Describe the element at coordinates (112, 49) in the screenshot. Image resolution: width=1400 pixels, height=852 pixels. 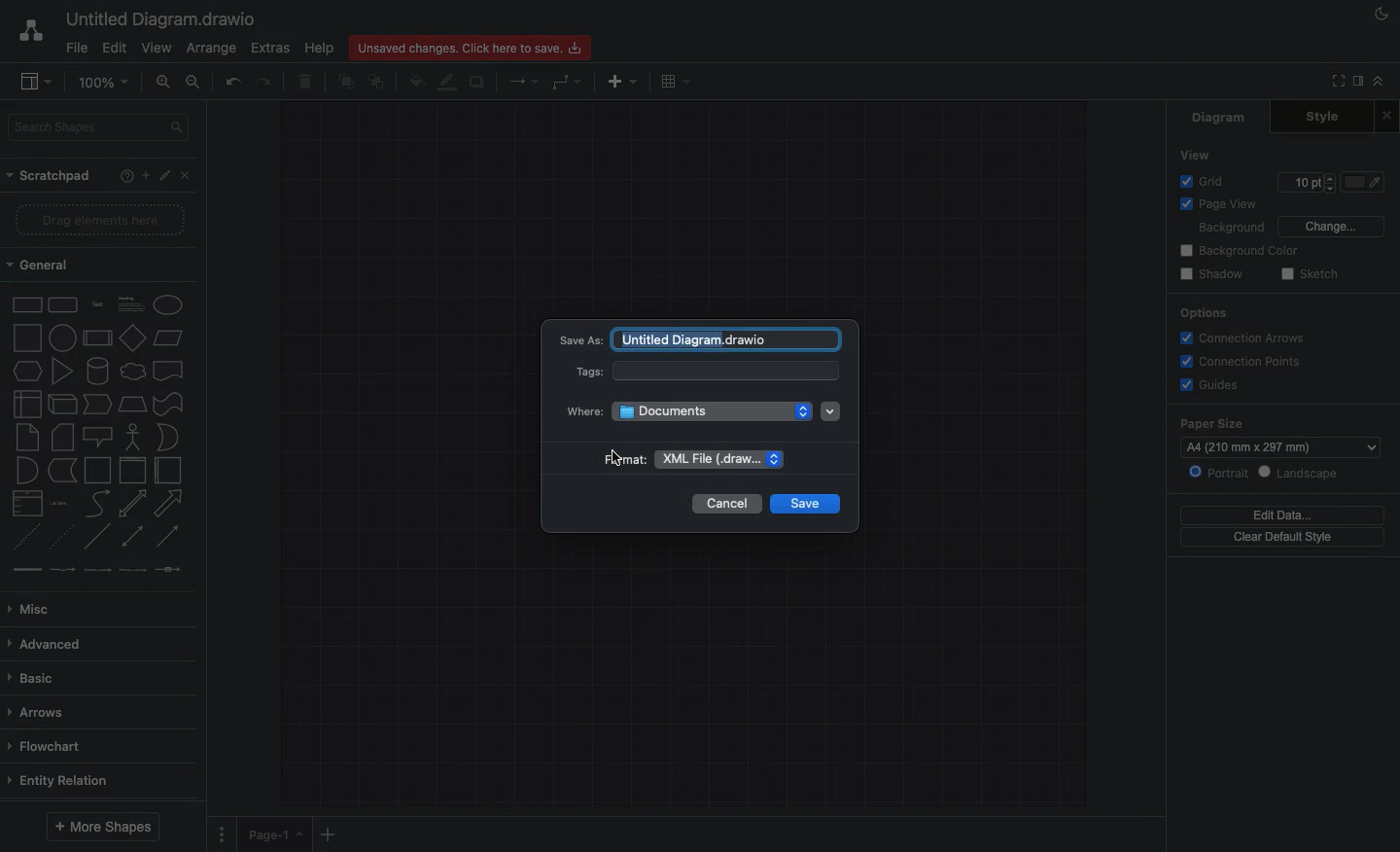
I see `Edit` at that location.